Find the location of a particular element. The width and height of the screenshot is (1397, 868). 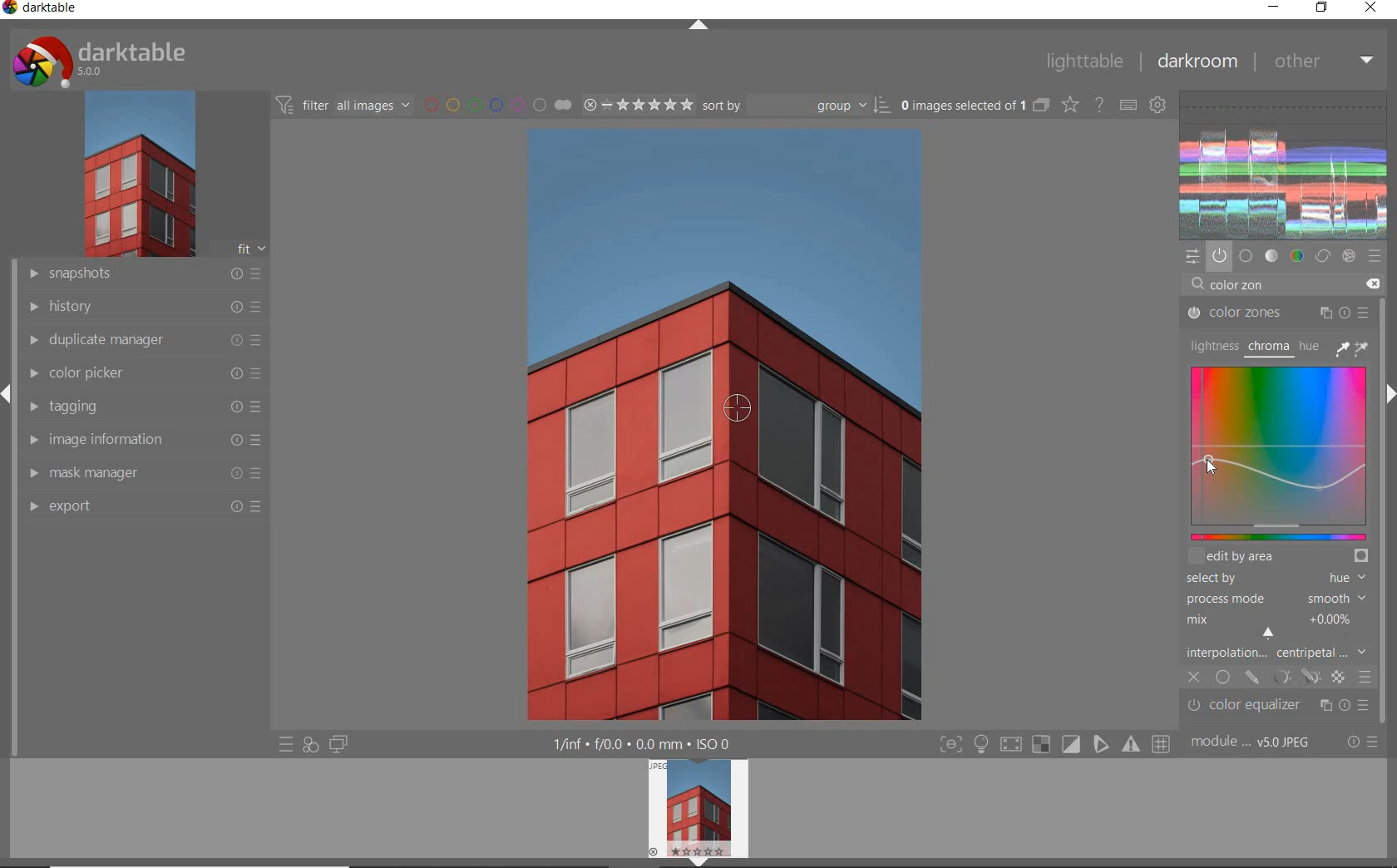

CHROMA is located at coordinates (1267, 348).